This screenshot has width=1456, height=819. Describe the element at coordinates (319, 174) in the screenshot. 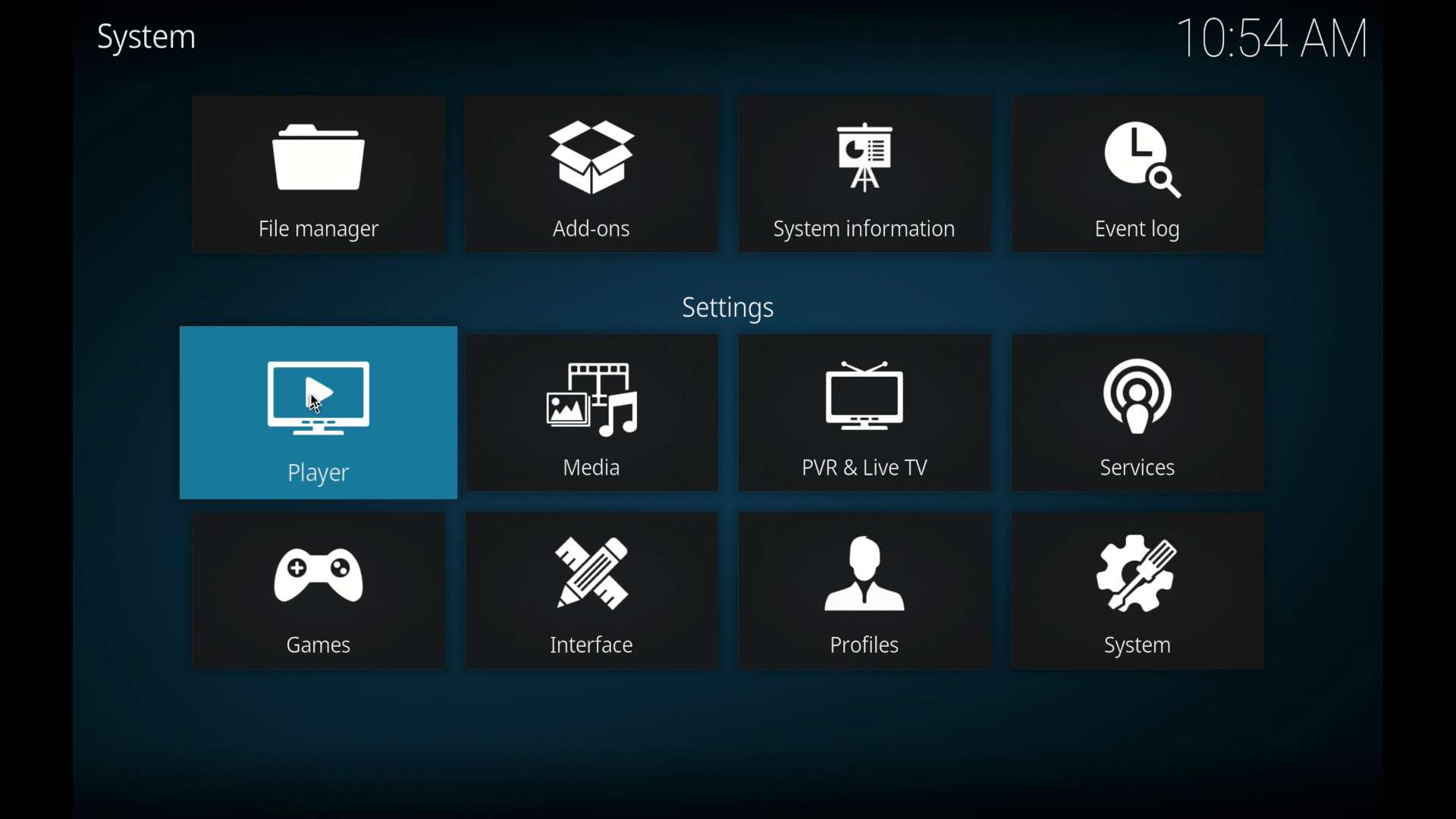

I see `file manager` at that location.